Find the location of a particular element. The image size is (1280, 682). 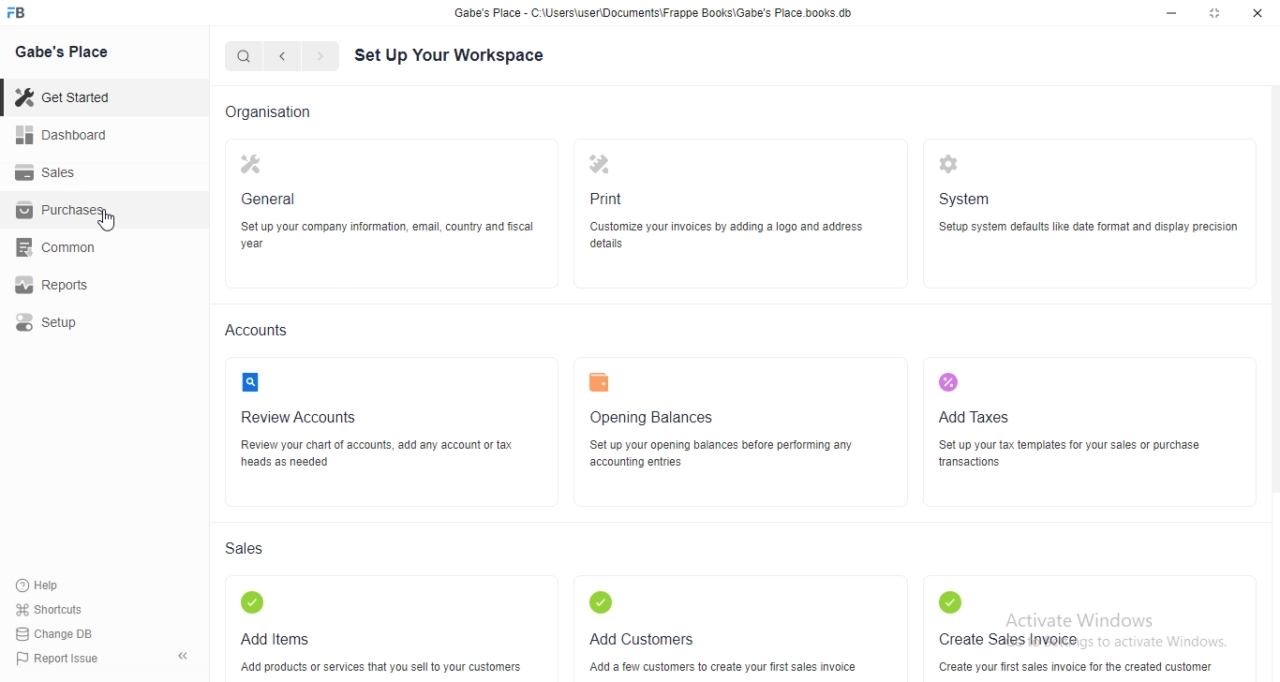

Opening balances icon is located at coordinates (599, 382).